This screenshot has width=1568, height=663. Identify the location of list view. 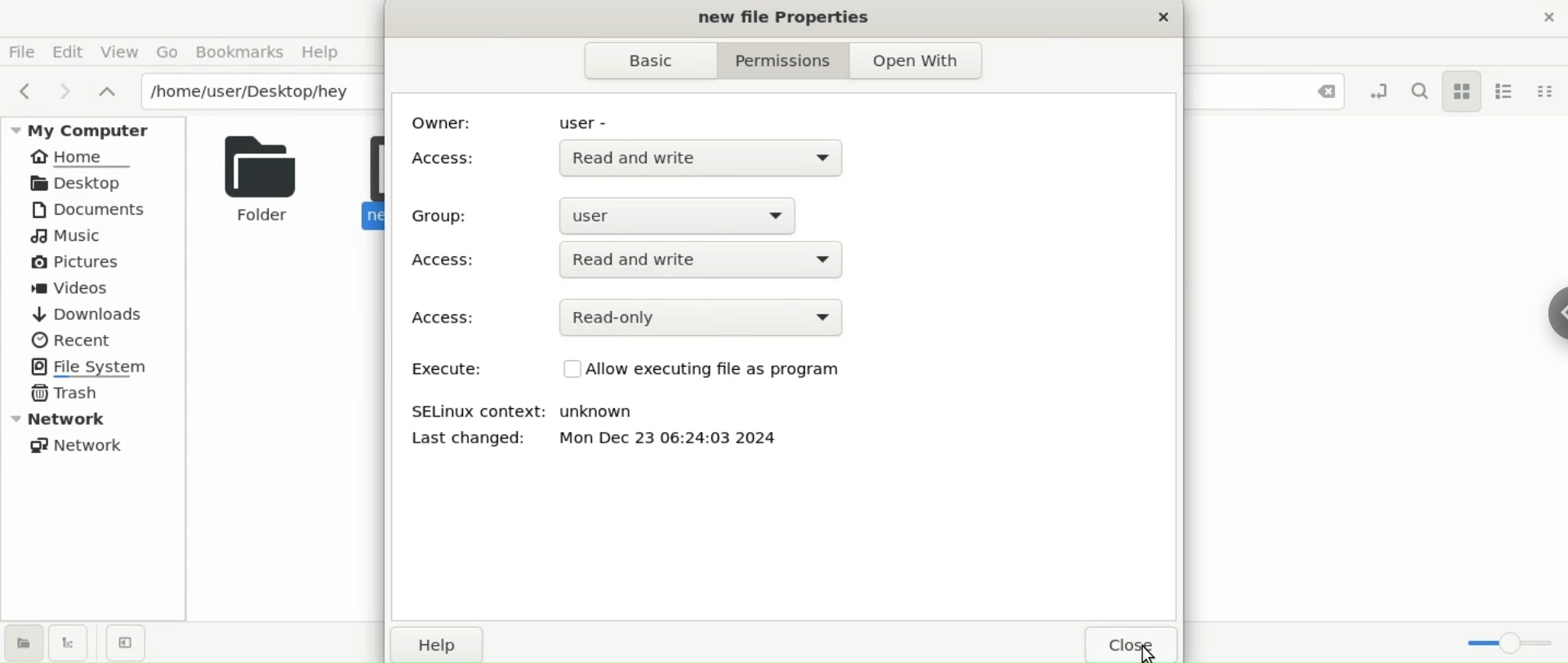
(1505, 89).